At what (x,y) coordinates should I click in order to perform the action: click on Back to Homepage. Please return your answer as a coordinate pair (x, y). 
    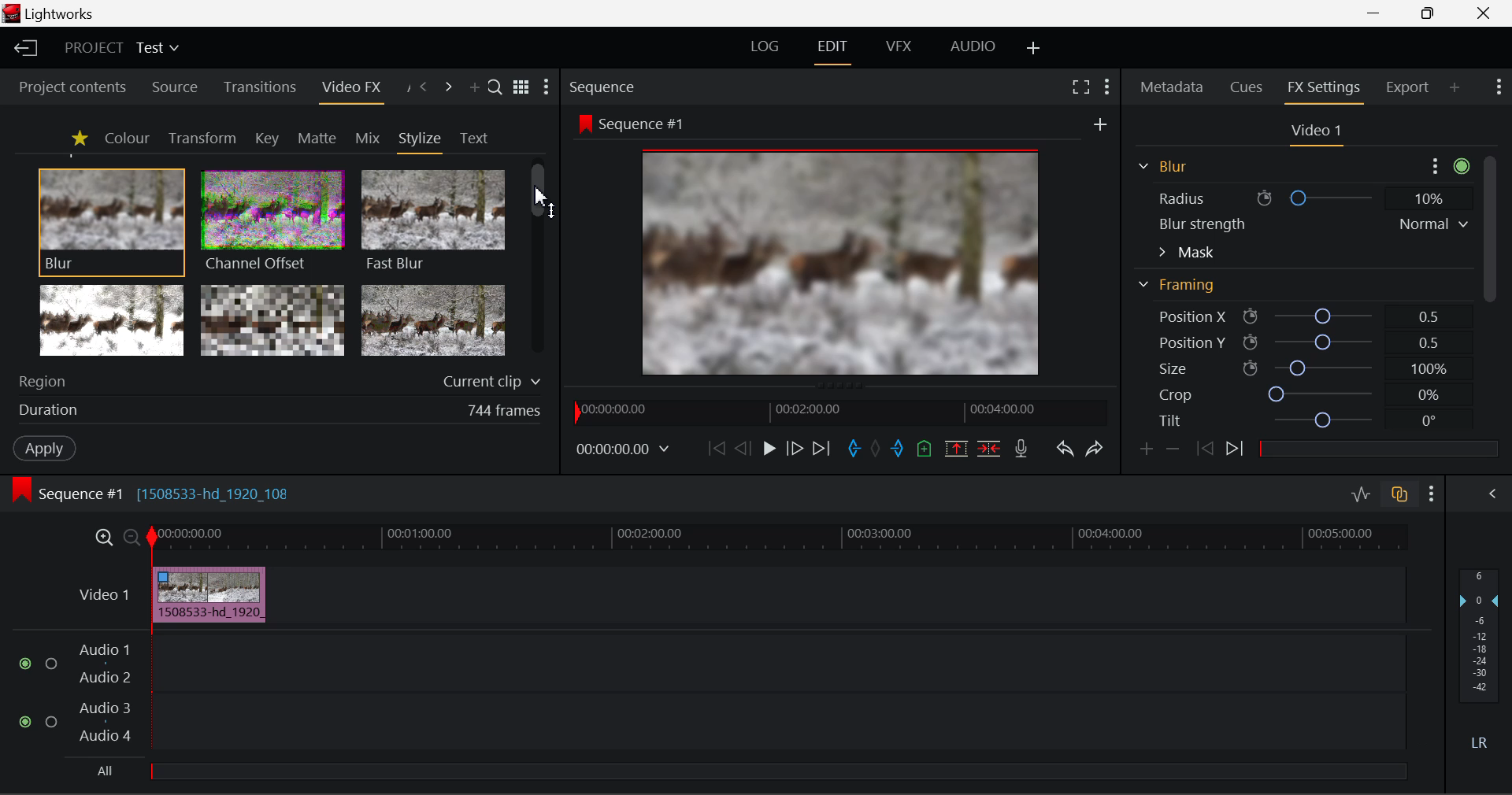
    Looking at the image, I should click on (23, 49).